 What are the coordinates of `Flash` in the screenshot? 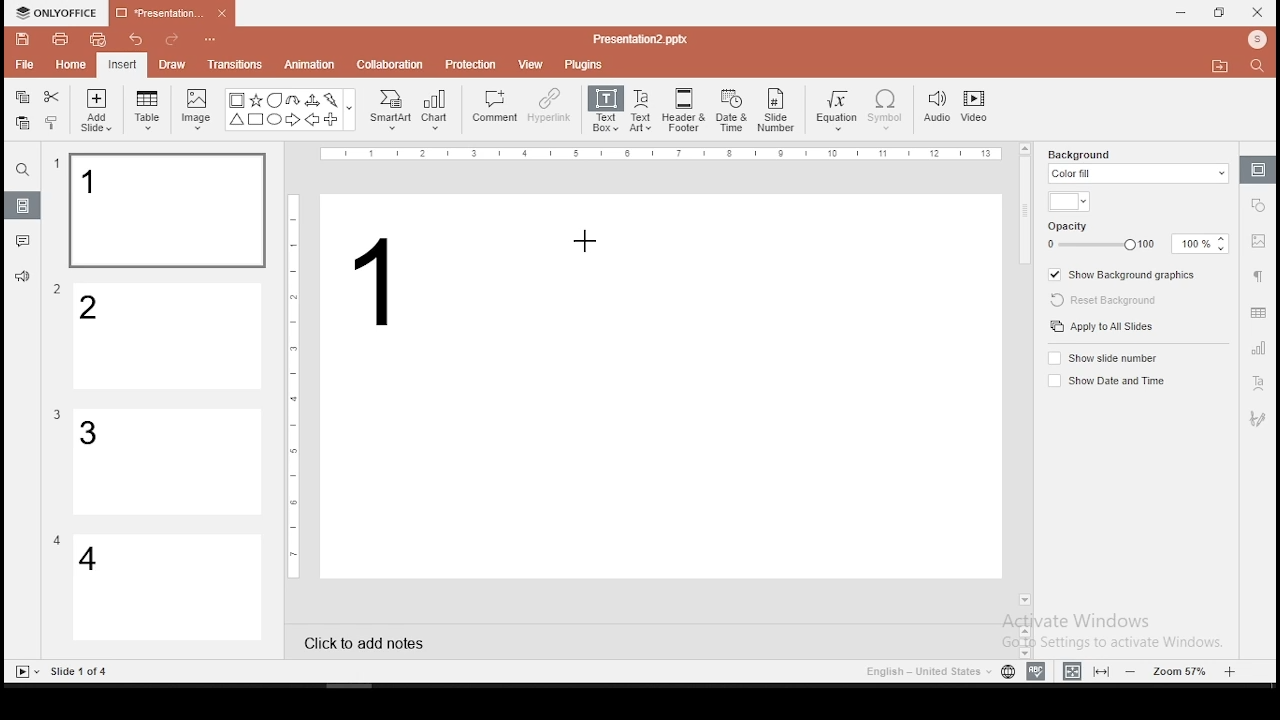 It's located at (333, 100).